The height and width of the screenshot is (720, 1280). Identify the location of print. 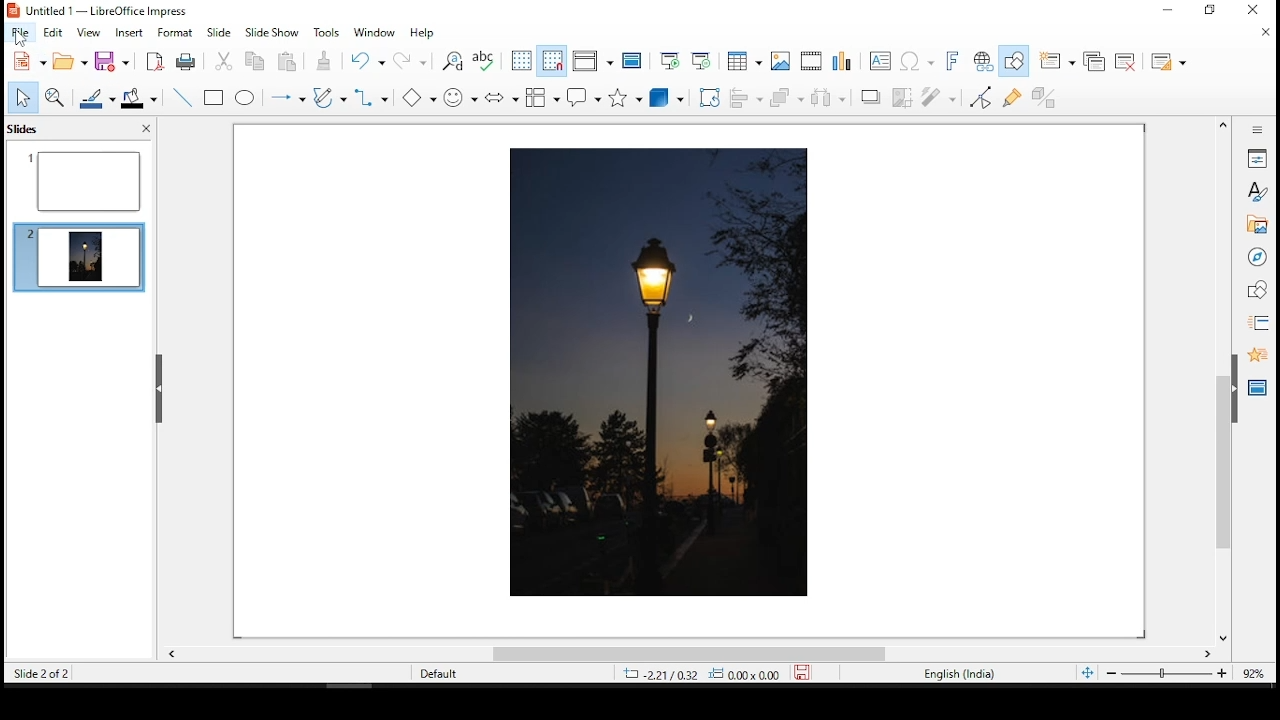
(186, 62).